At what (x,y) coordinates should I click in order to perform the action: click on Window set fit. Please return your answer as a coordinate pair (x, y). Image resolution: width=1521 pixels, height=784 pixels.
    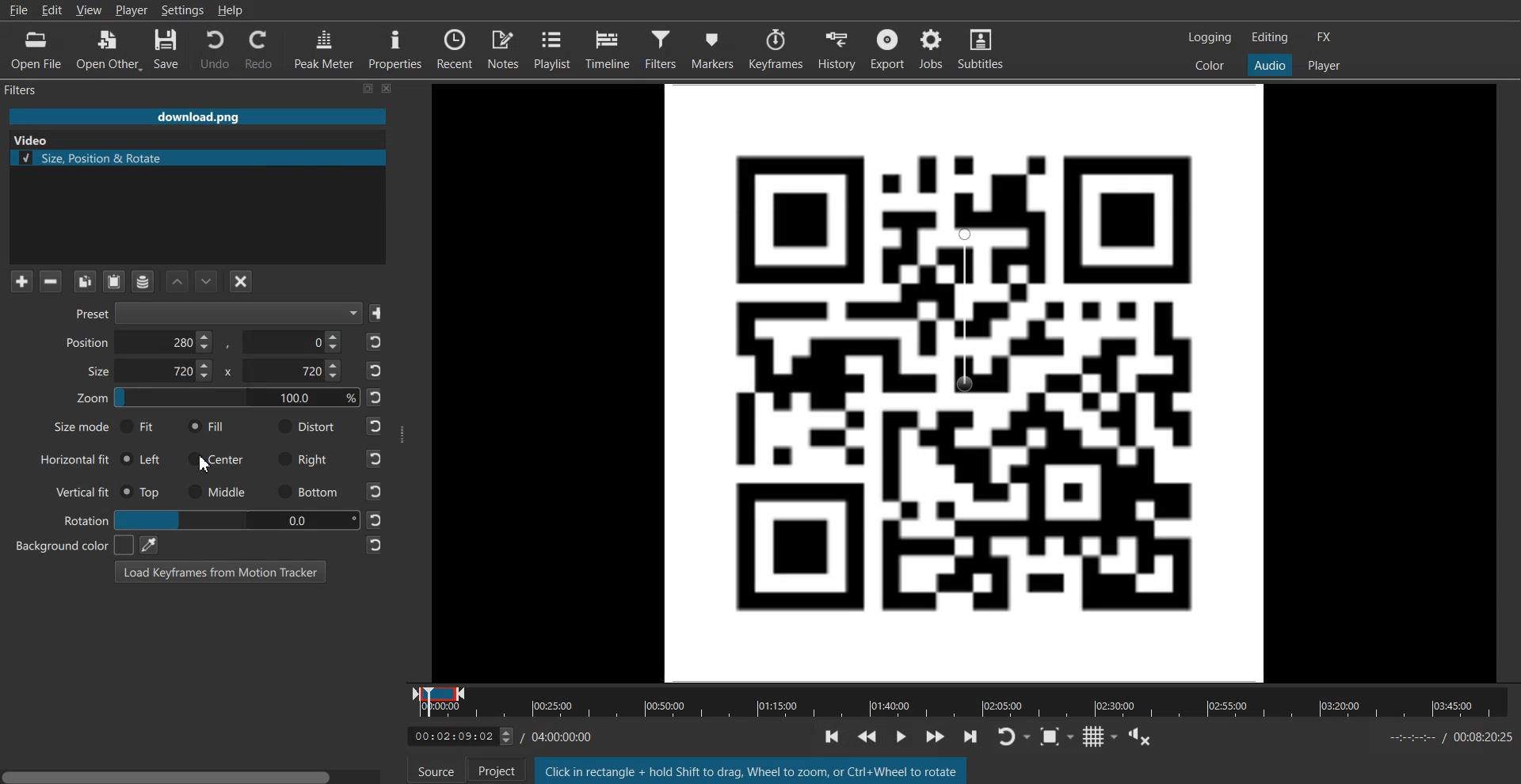
    Looking at the image, I should click on (966, 382).